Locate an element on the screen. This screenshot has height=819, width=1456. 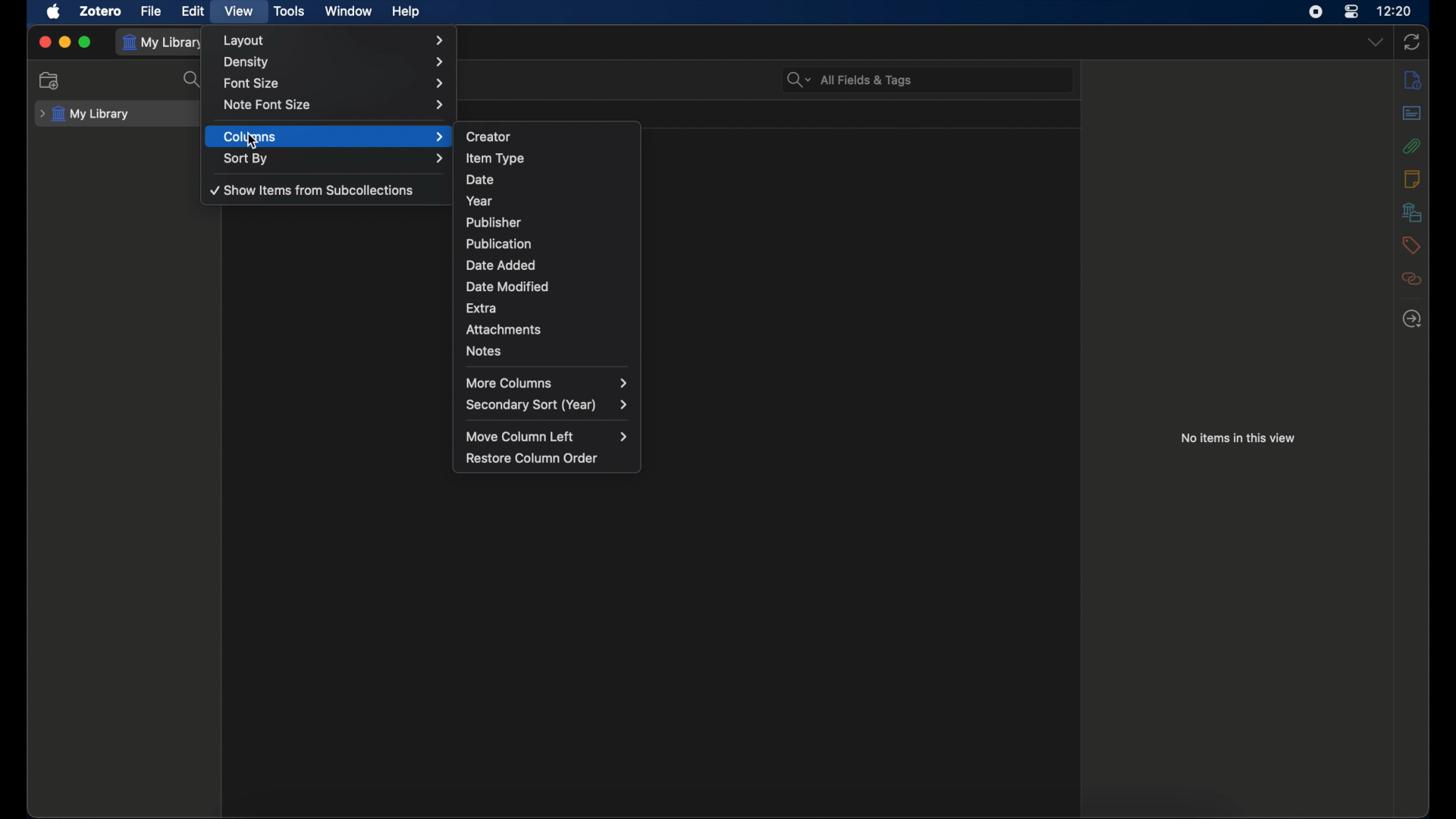
columns is located at coordinates (332, 137).